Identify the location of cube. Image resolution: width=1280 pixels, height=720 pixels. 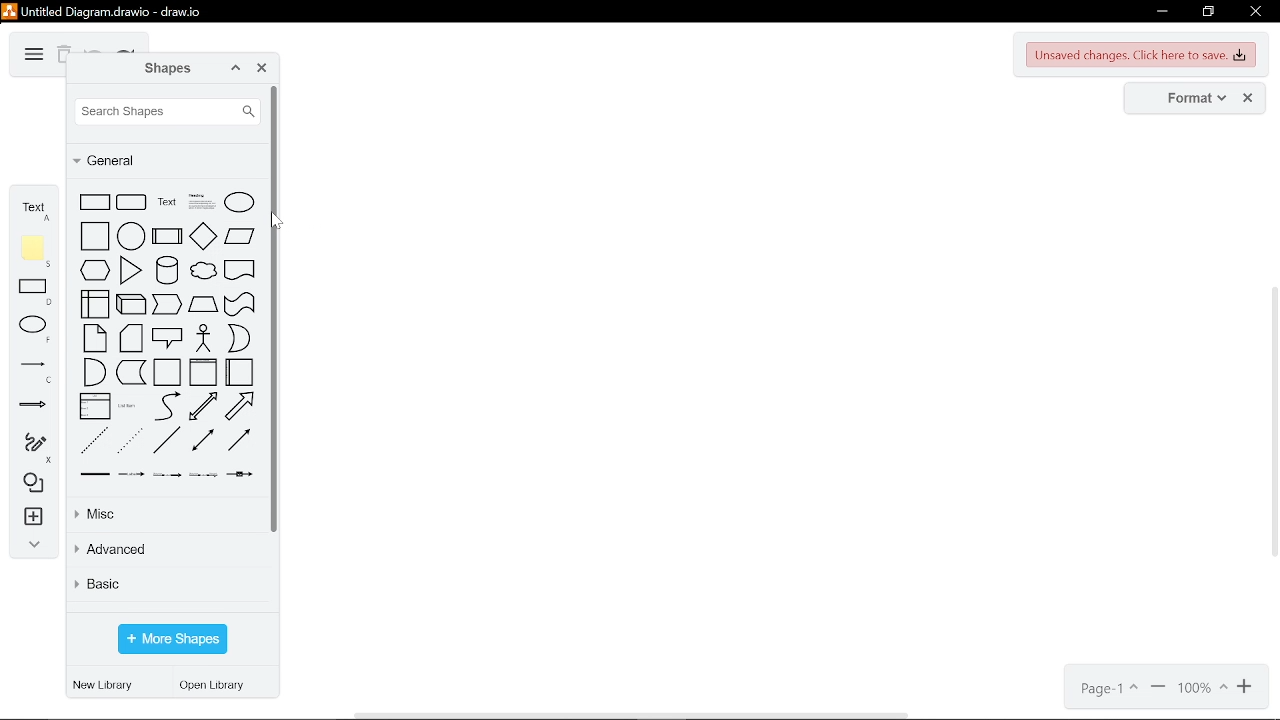
(131, 304).